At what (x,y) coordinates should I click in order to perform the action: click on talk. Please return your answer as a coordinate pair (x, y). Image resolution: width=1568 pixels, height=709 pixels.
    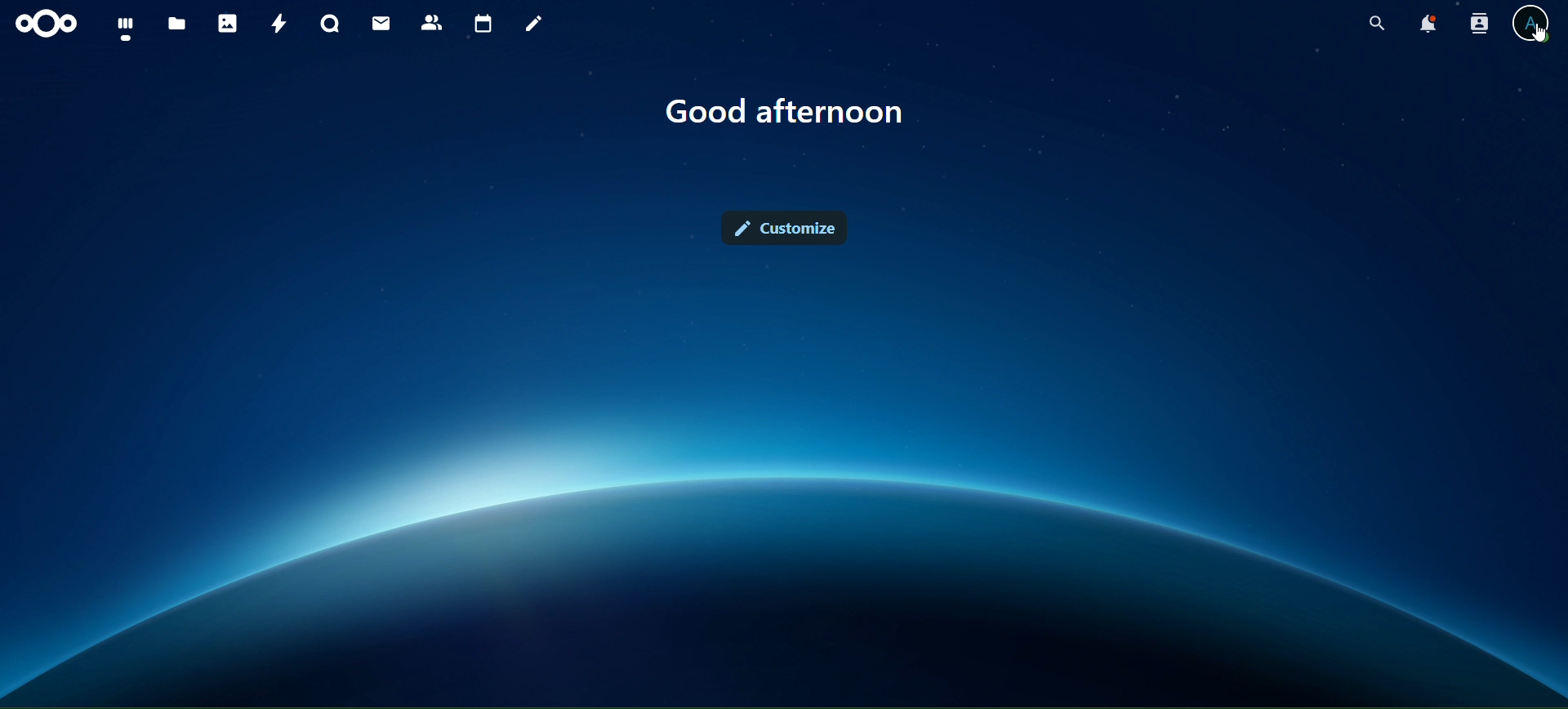
    Looking at the image, I should click on (330, 24).